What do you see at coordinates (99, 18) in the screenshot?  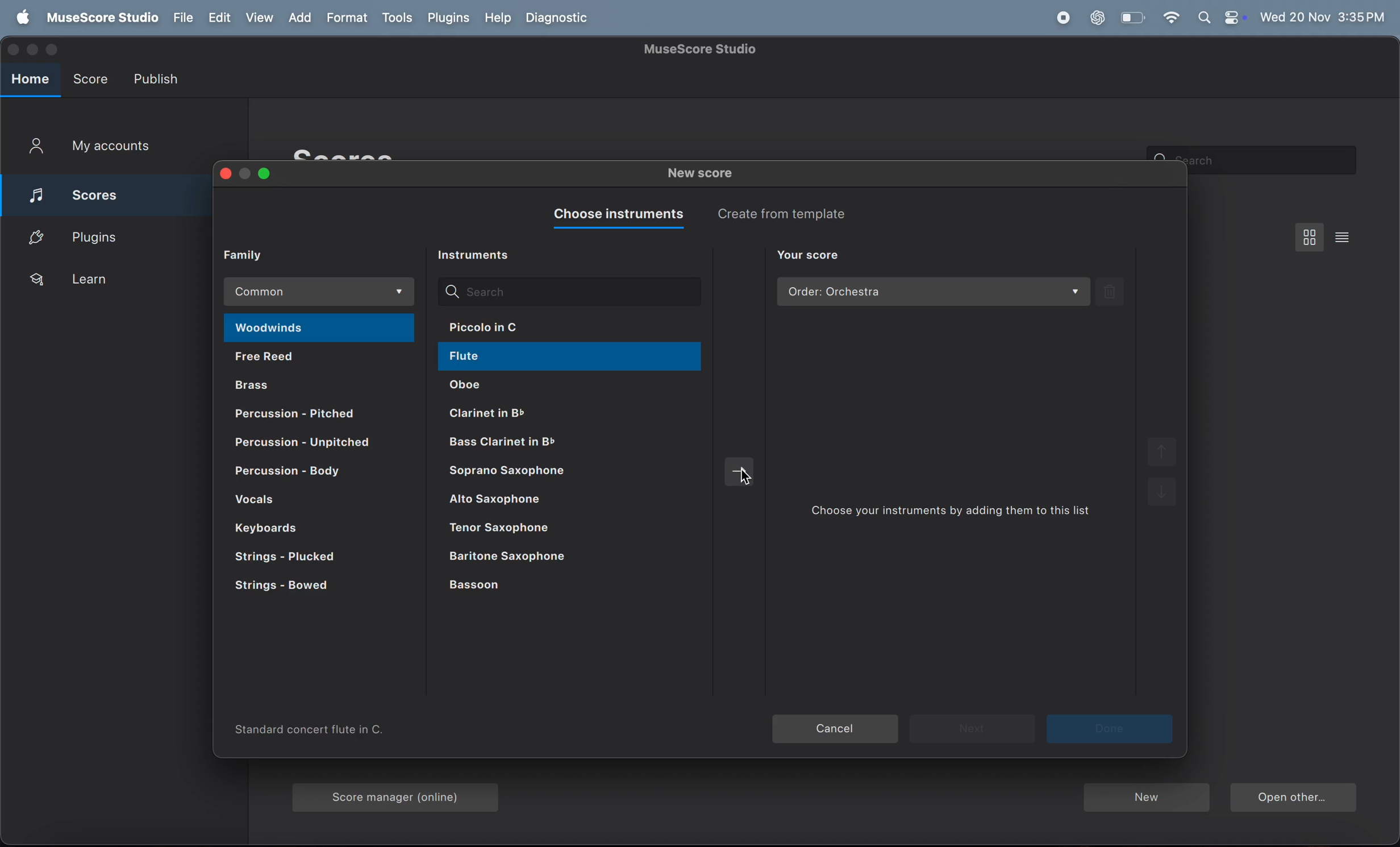 I see `use score studi0 menu` at bounding box center [99, 18].